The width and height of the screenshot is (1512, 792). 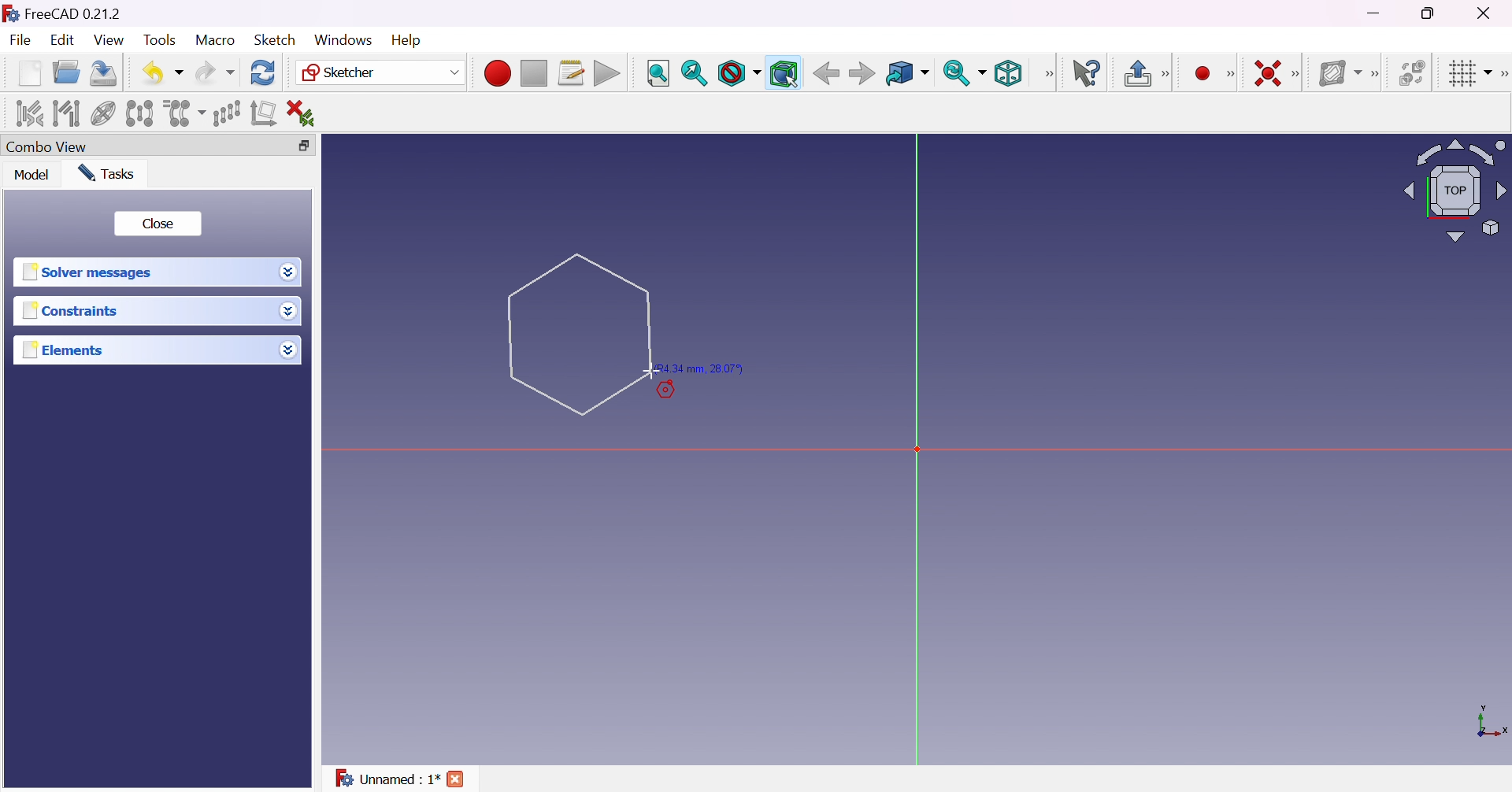 What do you see at coordinates (823, 73) in the screenshot?
I see `Back` at bounding box center [823, 73].